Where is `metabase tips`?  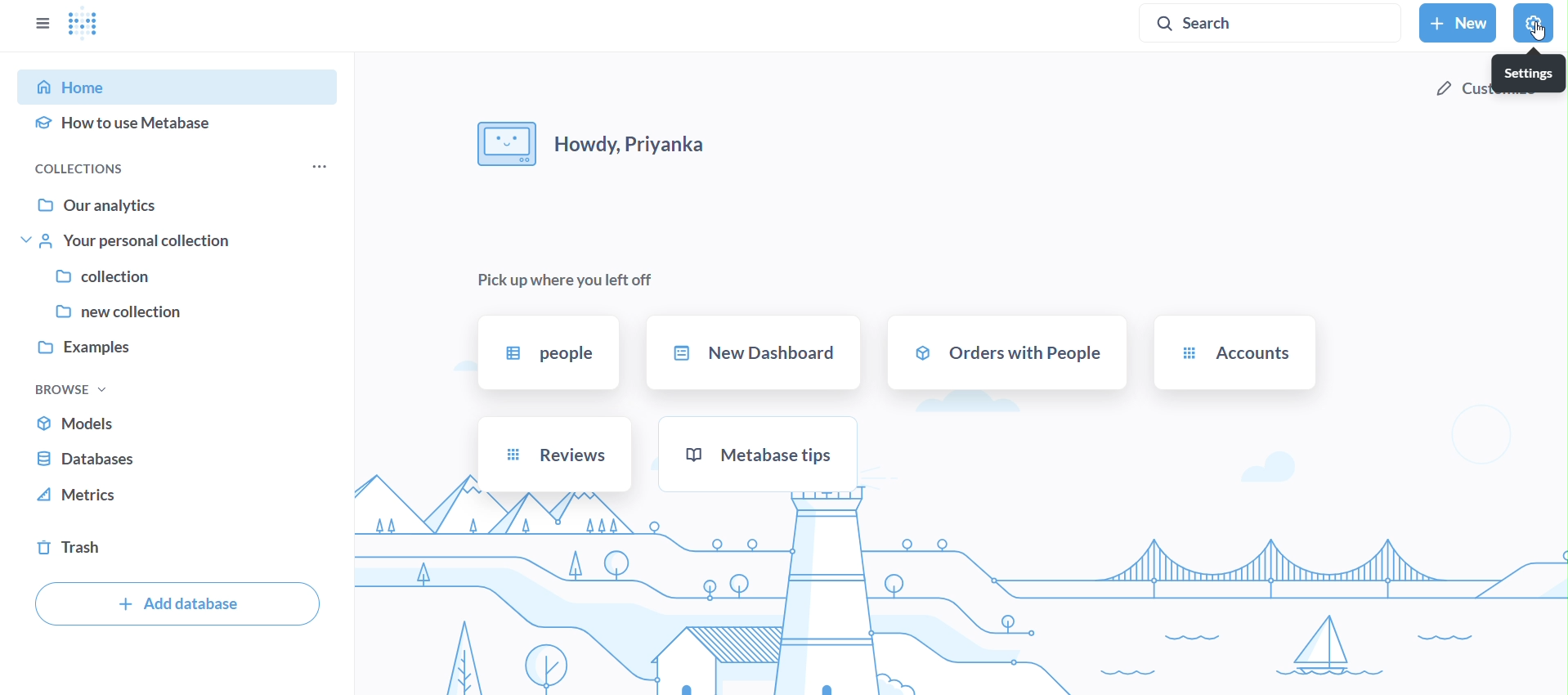
metabase tips is located at coordinates (760, 452).